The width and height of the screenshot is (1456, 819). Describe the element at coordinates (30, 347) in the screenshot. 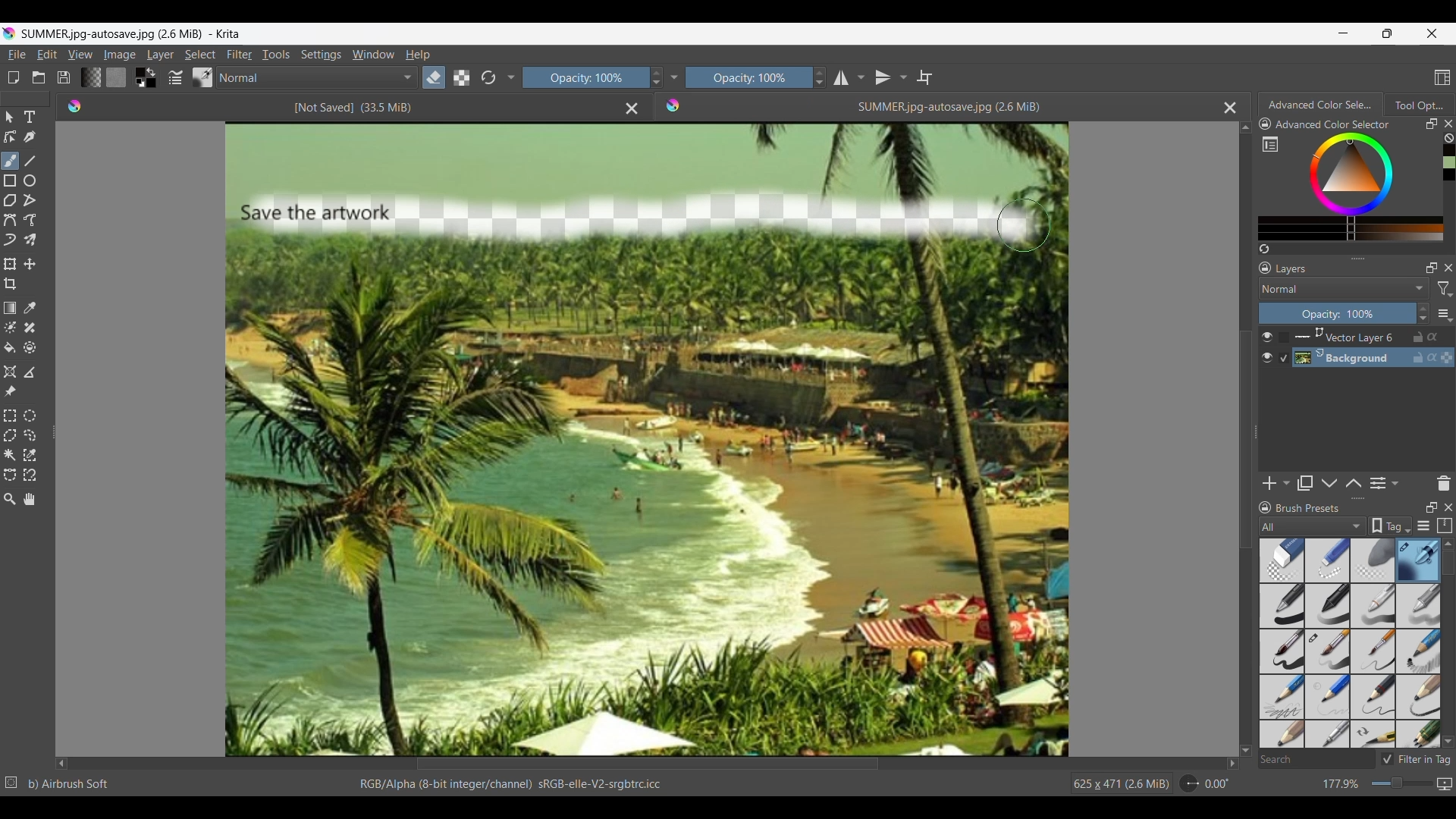

I see `Enclose and fill tool` at that location.